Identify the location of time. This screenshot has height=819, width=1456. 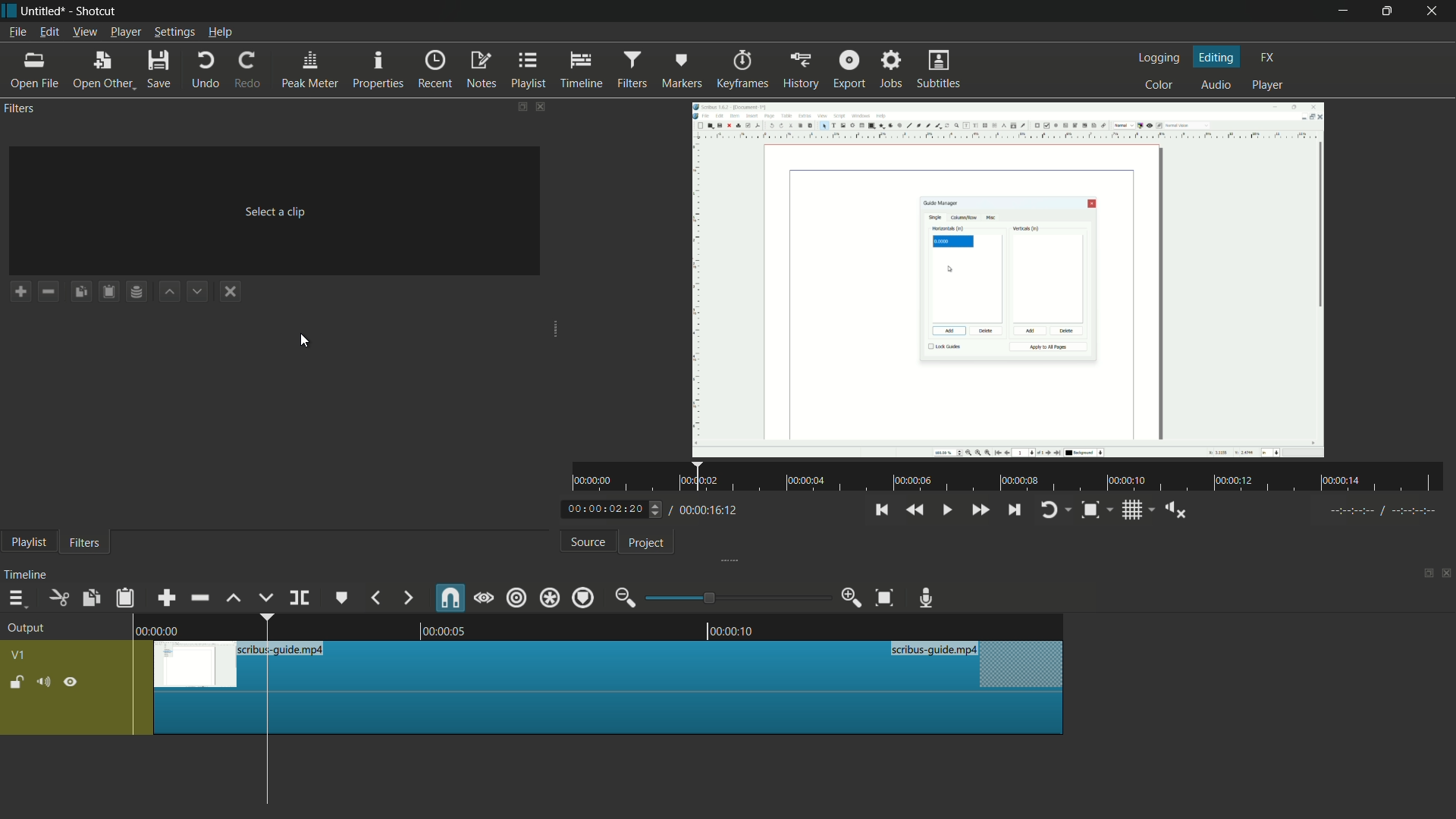
(1015, 478).